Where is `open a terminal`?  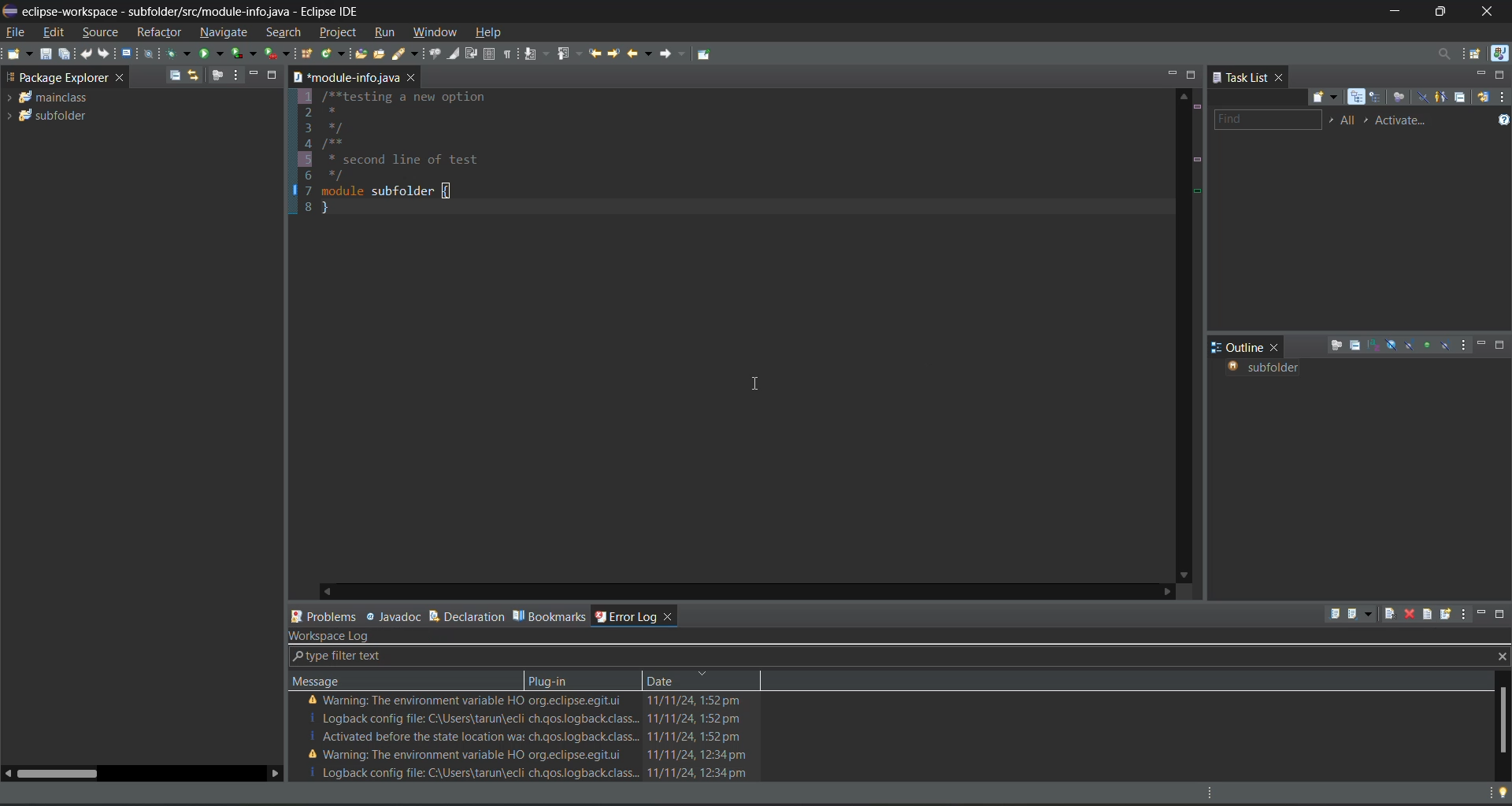
open a terminal is located at coordinates (127, 54).